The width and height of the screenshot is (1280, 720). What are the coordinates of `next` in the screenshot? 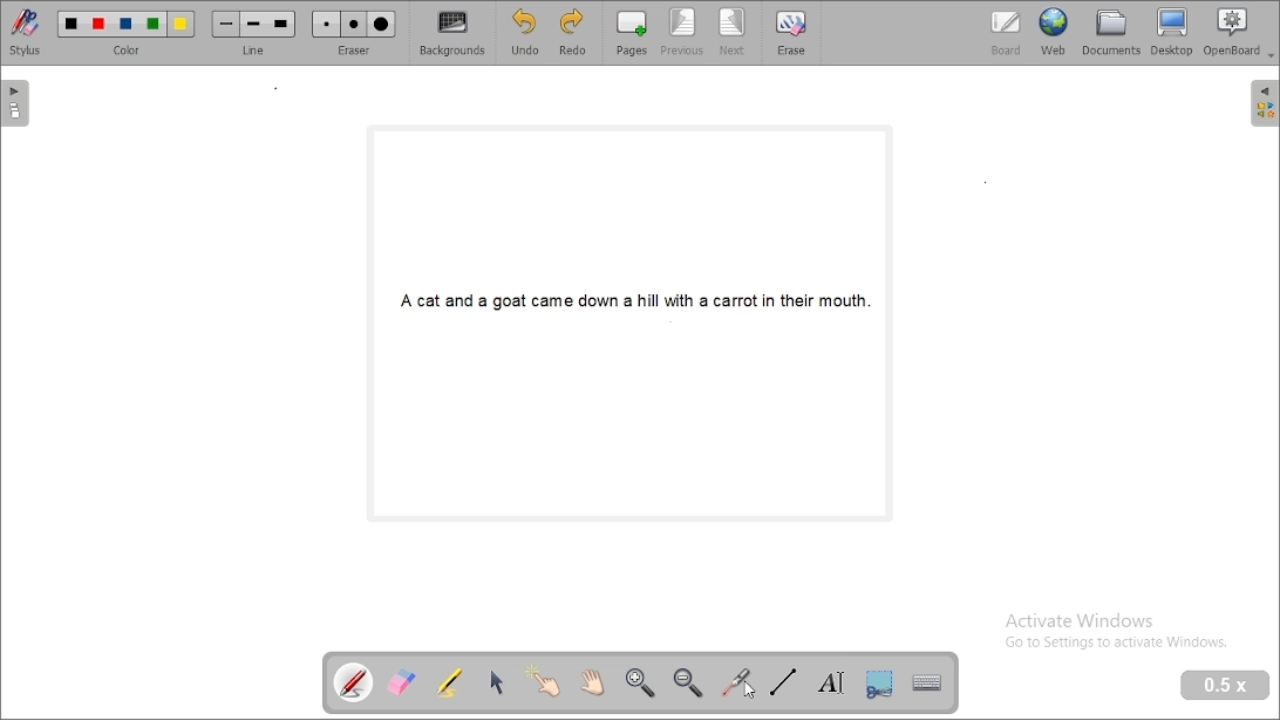 It's located at (734, 33).